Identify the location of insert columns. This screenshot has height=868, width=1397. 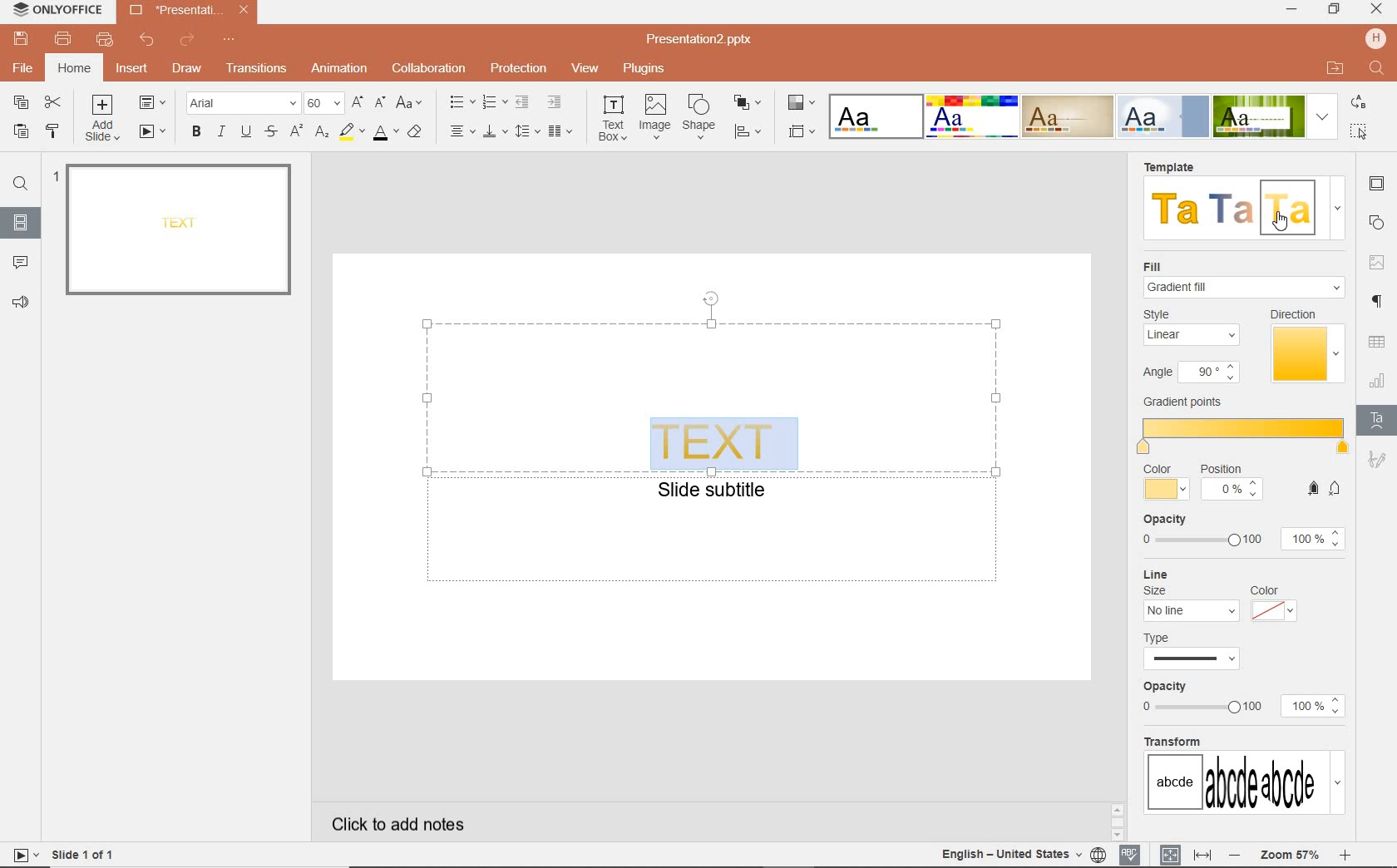
(562, 131).